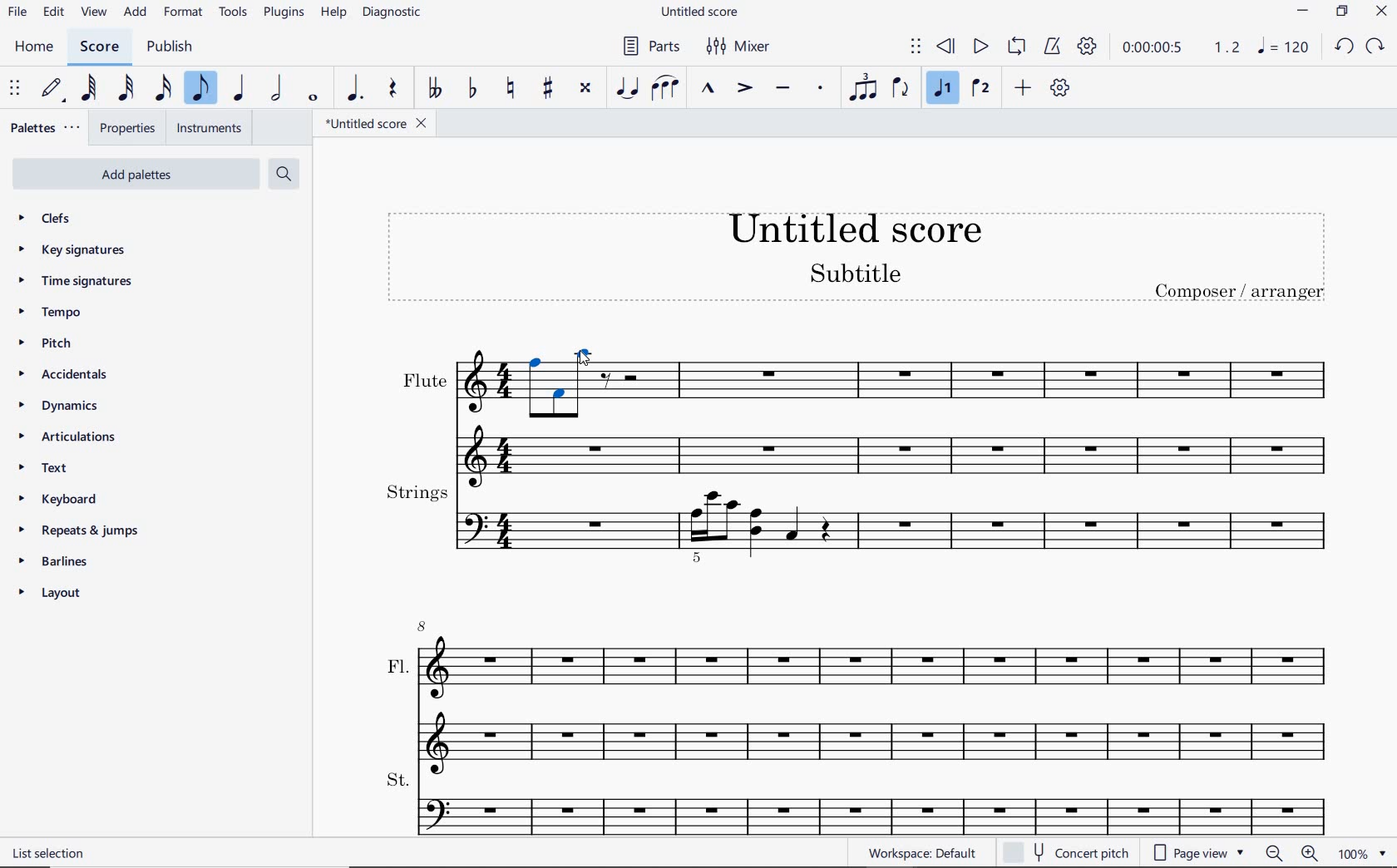  Describe the element at coordinates (1063, 88) in the screenshot. I see `CUSTOMIZE TOOLBAR` at that location.